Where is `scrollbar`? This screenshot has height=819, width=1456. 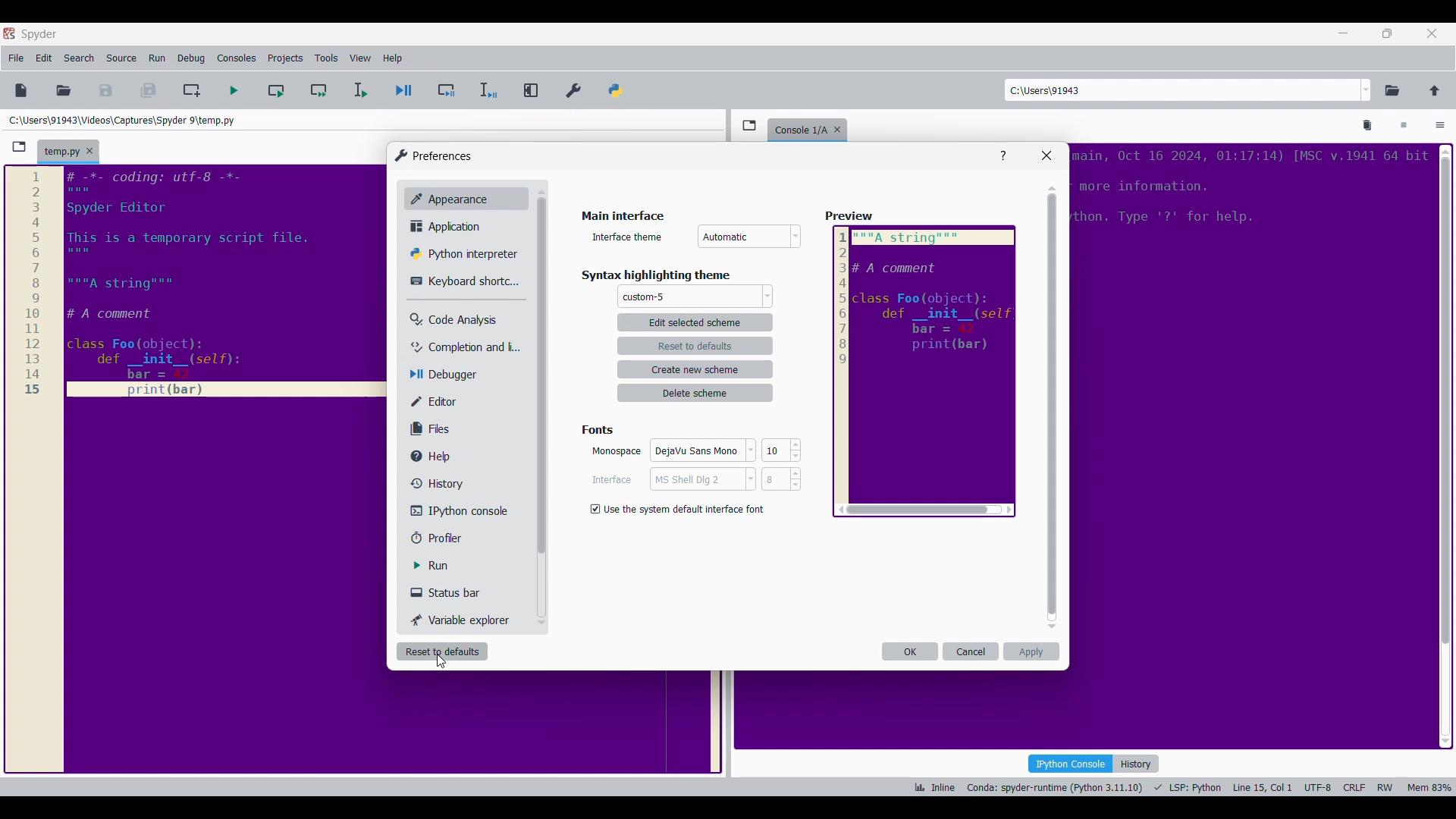
scrollbar is located at coordinates (1448, 445).